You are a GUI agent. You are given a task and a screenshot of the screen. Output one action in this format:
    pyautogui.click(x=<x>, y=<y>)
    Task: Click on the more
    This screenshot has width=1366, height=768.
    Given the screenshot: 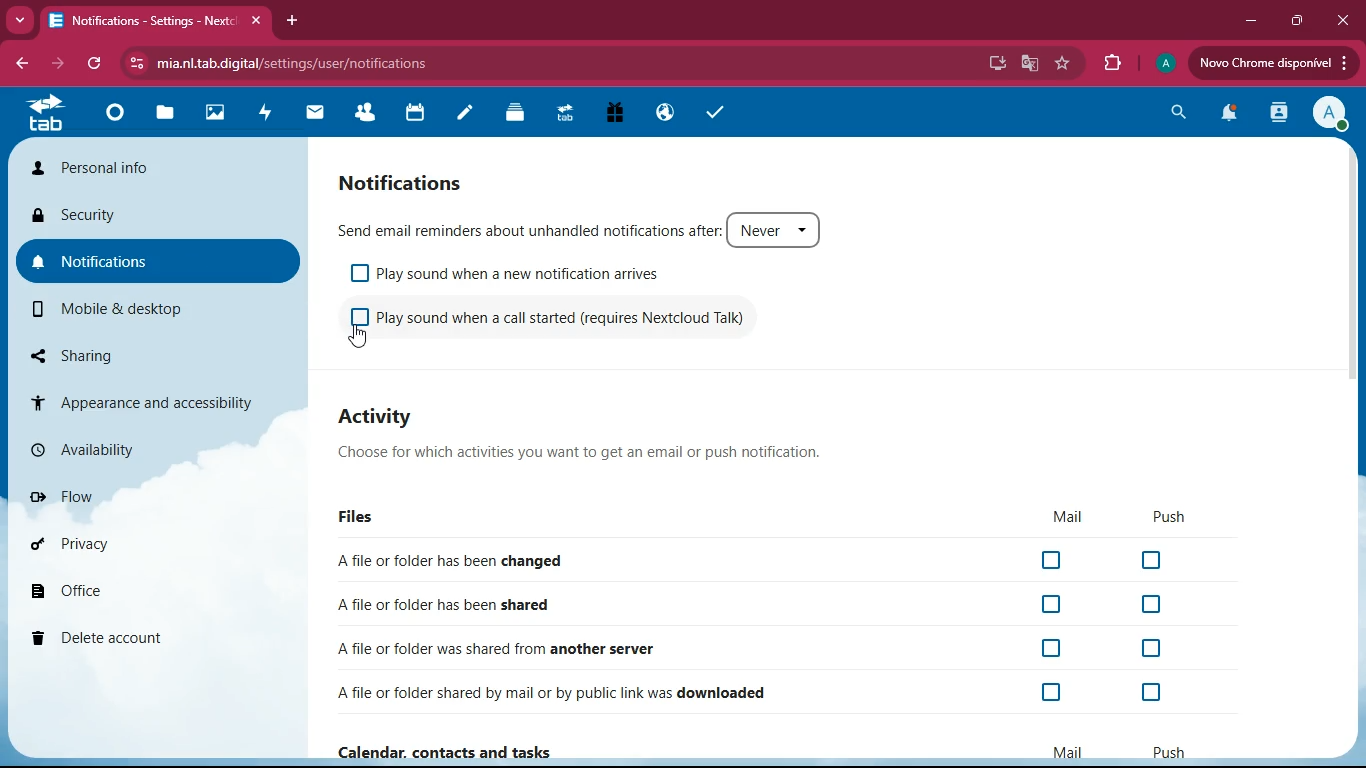 What is the action you would take?
    pyautogui.click(x=18, y=20)
    